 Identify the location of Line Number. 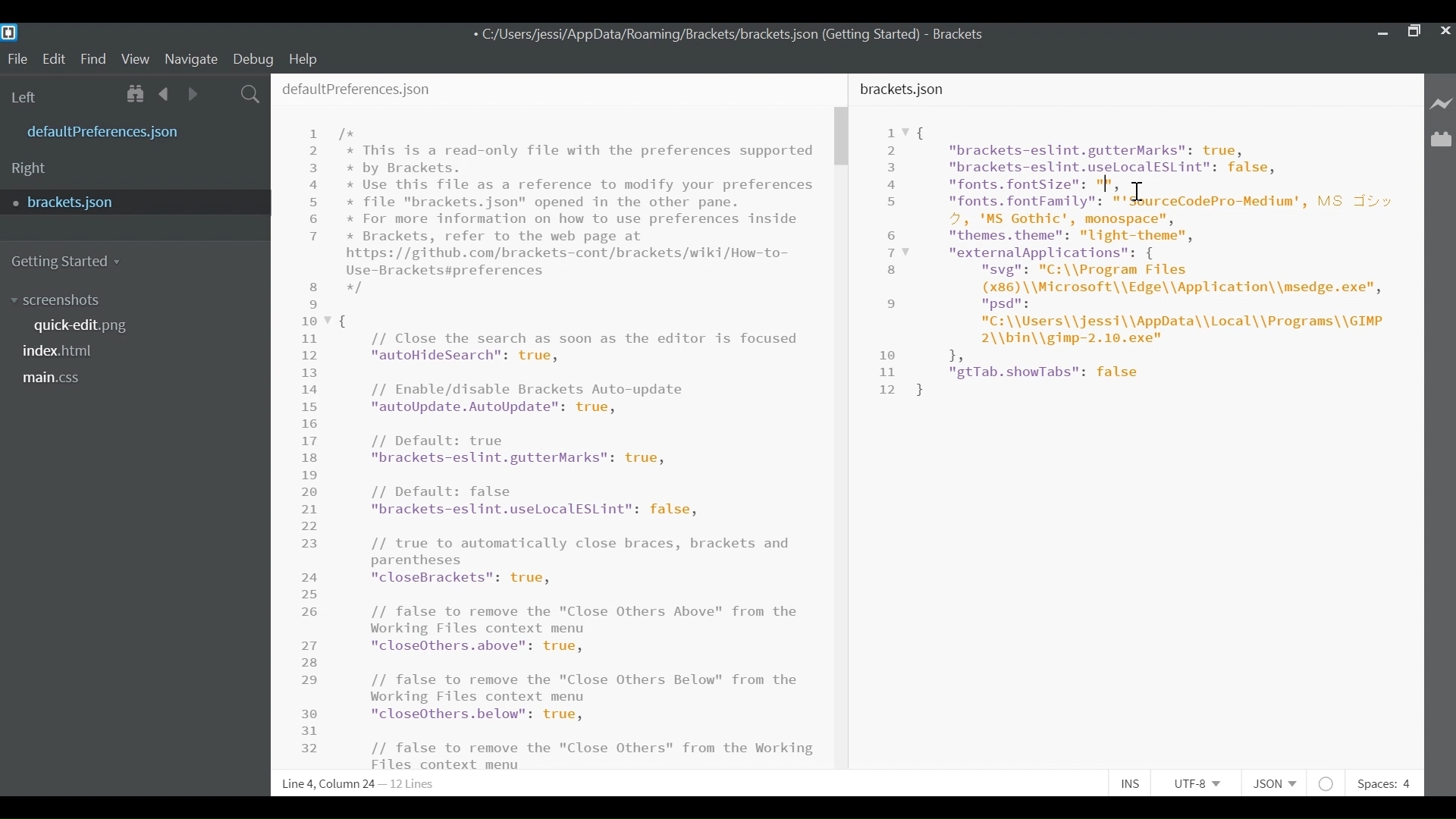
(315, 439).